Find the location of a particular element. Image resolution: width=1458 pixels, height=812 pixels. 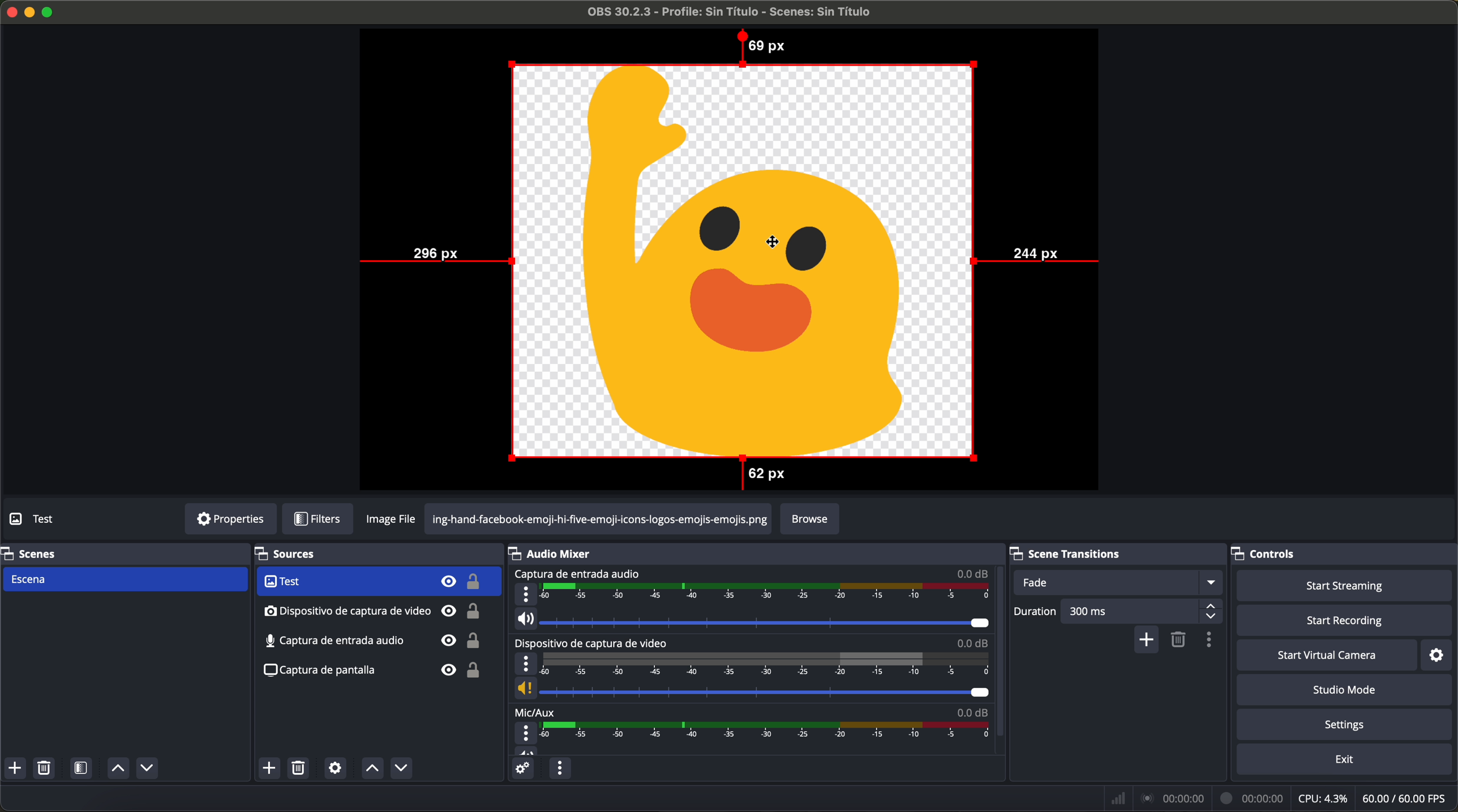

more options is located at coordinates (526, 594).